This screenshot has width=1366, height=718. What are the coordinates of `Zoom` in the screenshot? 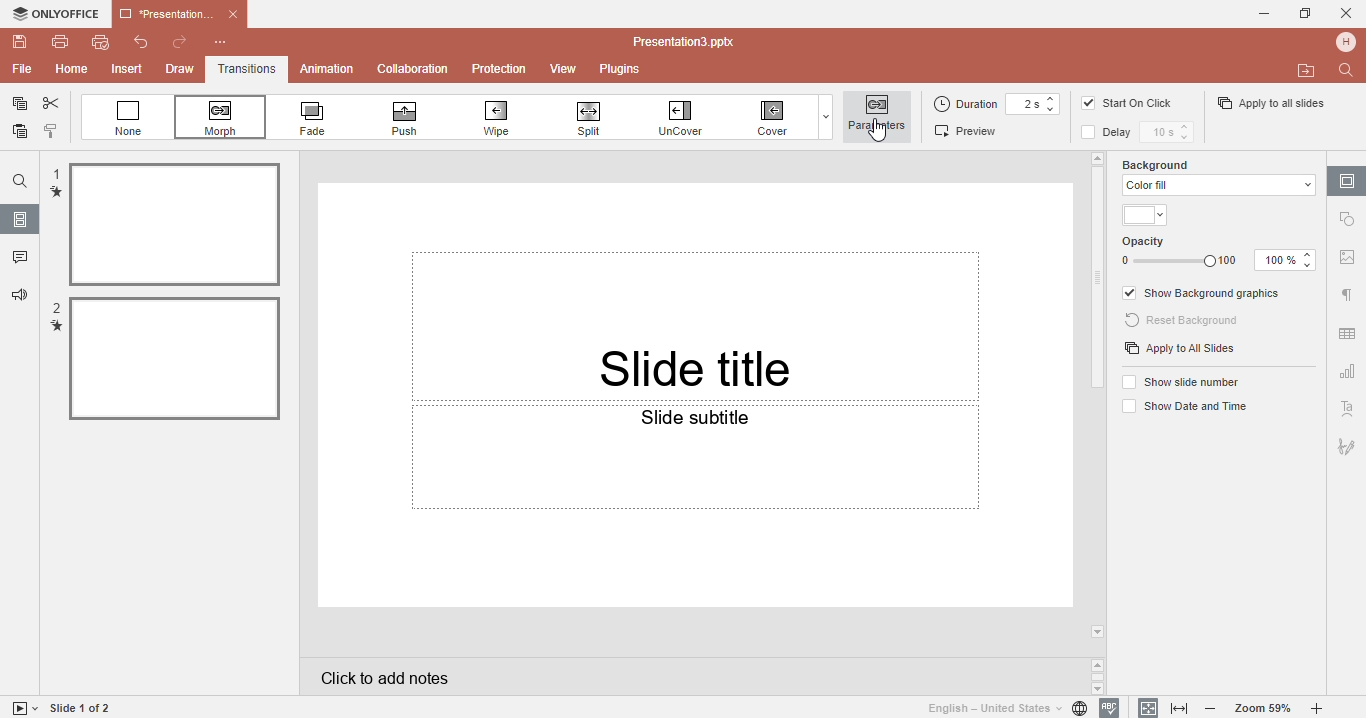 It's located at (1264, 708).